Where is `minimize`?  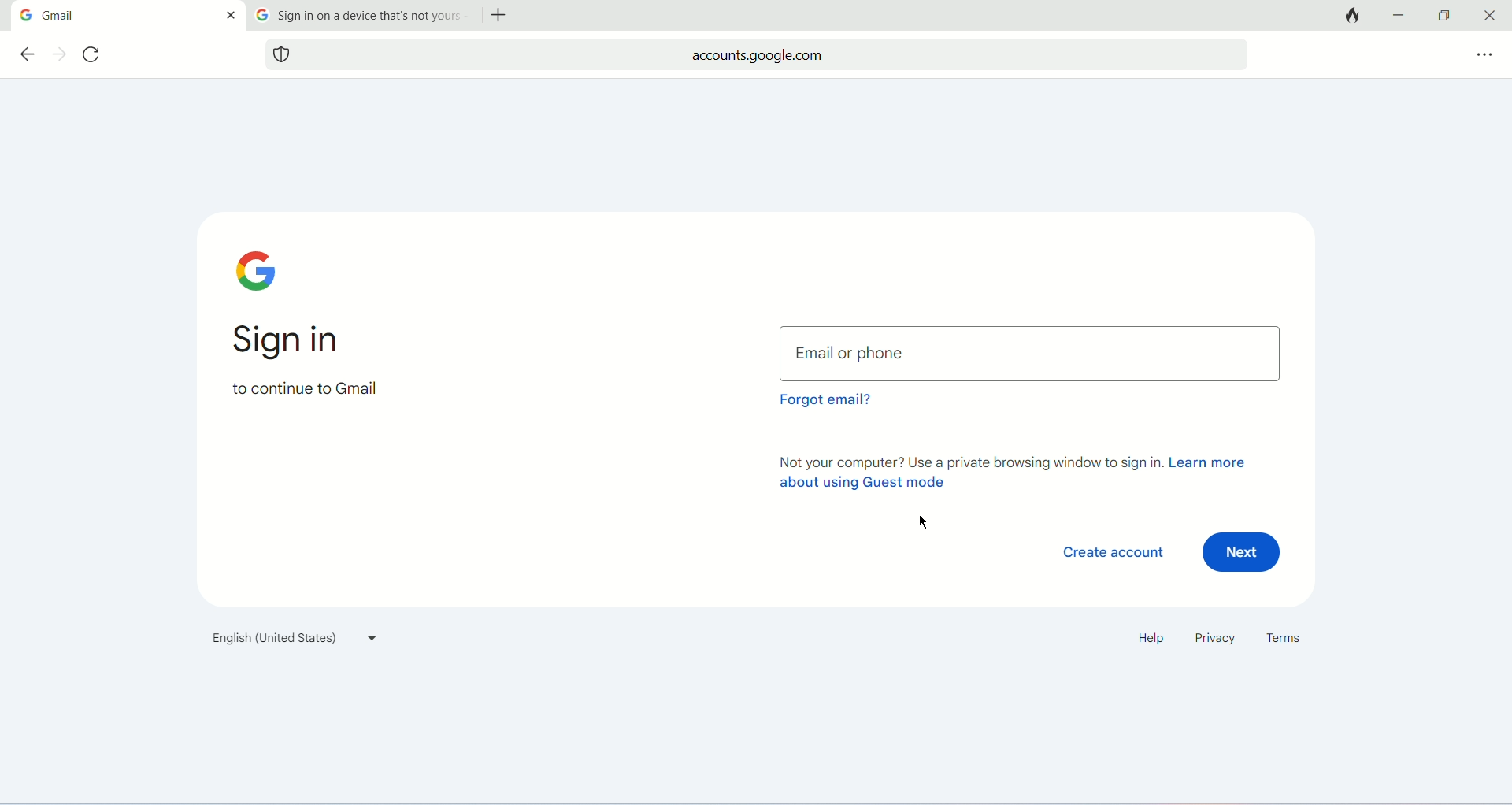
minimize is located at coordinates (1401, 14).